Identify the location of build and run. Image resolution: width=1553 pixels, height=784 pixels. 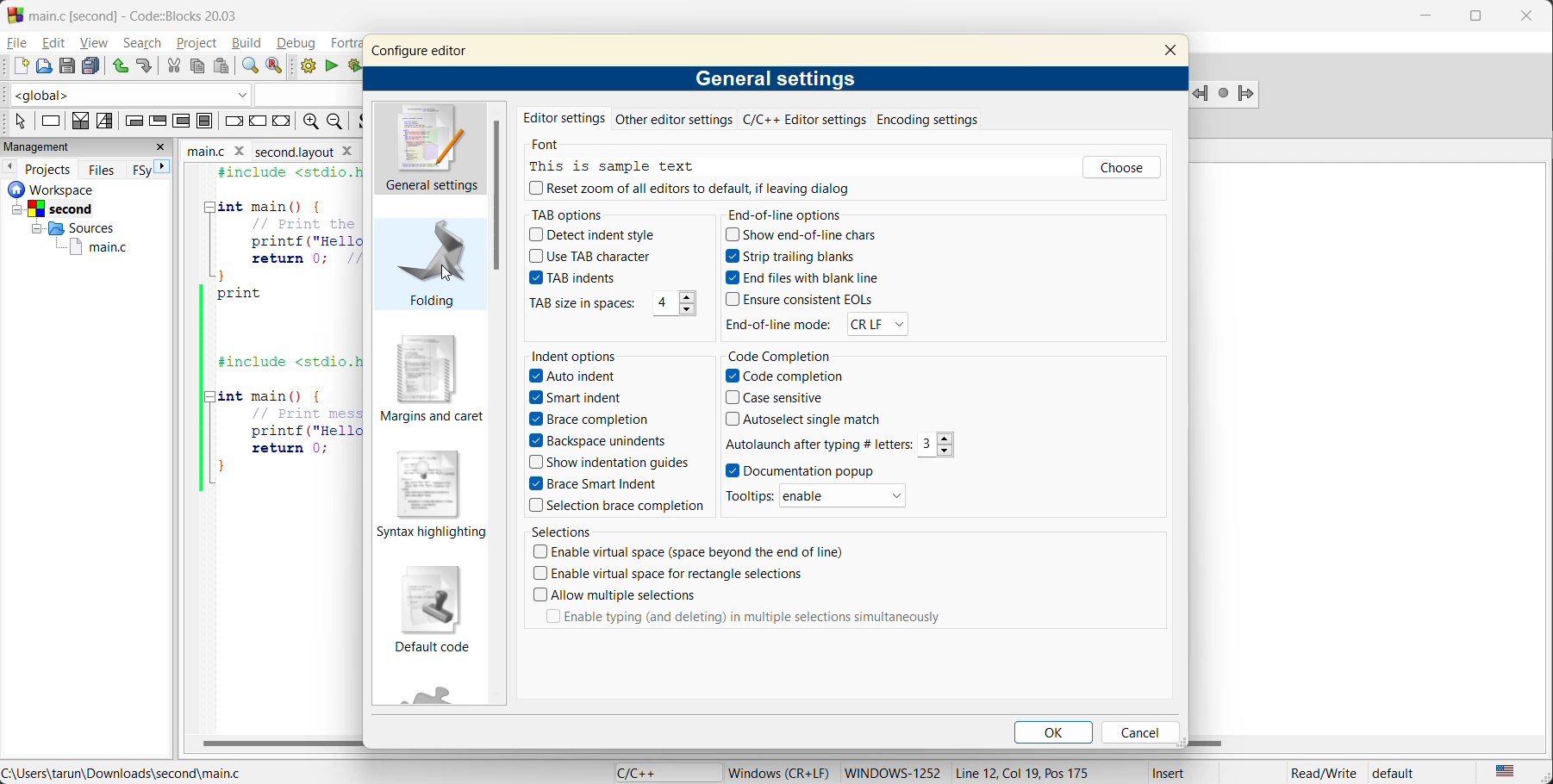
(352, 66).